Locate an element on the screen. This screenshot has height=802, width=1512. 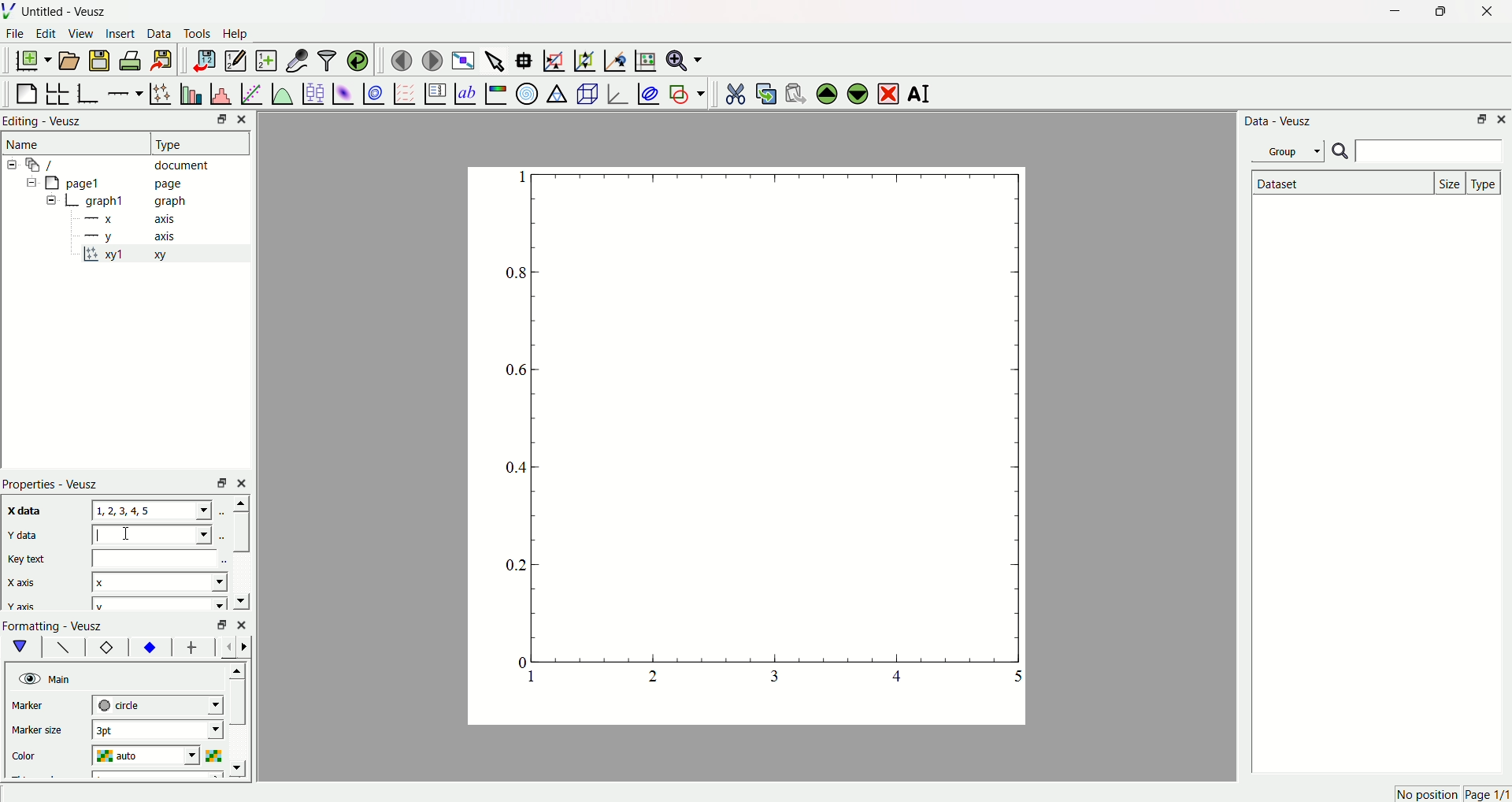
ternary graphs is located at coordinates (556, 91).